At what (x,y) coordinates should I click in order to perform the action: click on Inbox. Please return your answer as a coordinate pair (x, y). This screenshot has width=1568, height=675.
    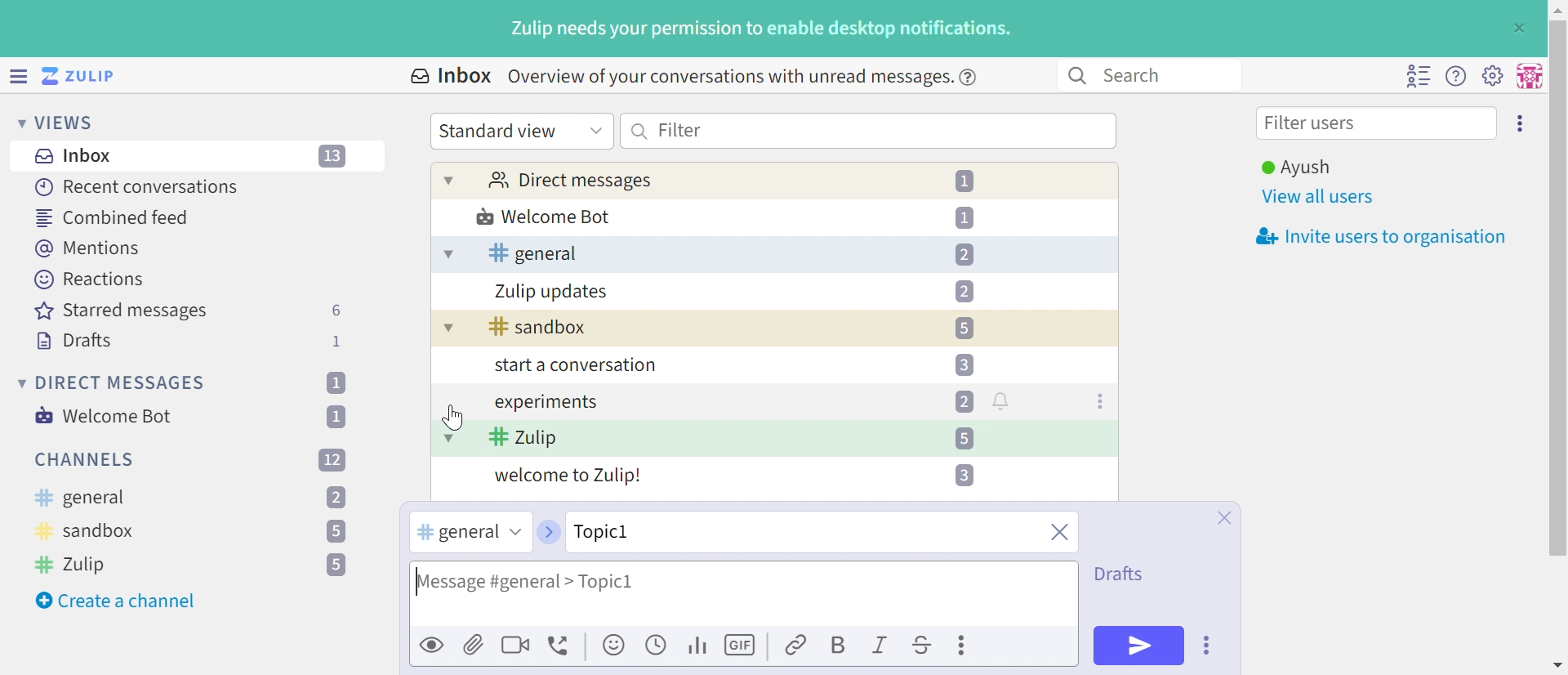
    Looking at the image, I should click on (449, 76).